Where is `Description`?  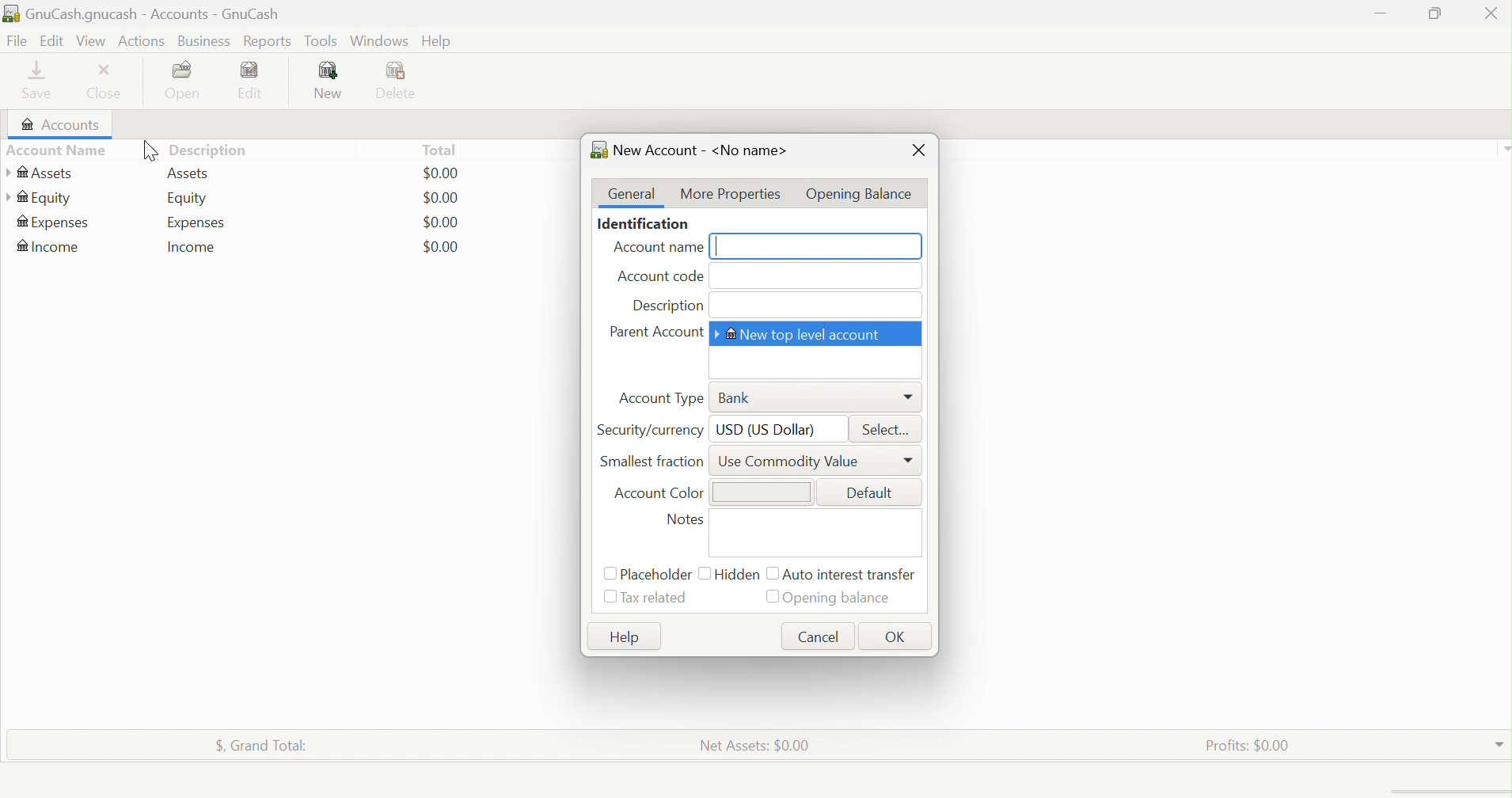
Description is located at coordinates (214, 150).